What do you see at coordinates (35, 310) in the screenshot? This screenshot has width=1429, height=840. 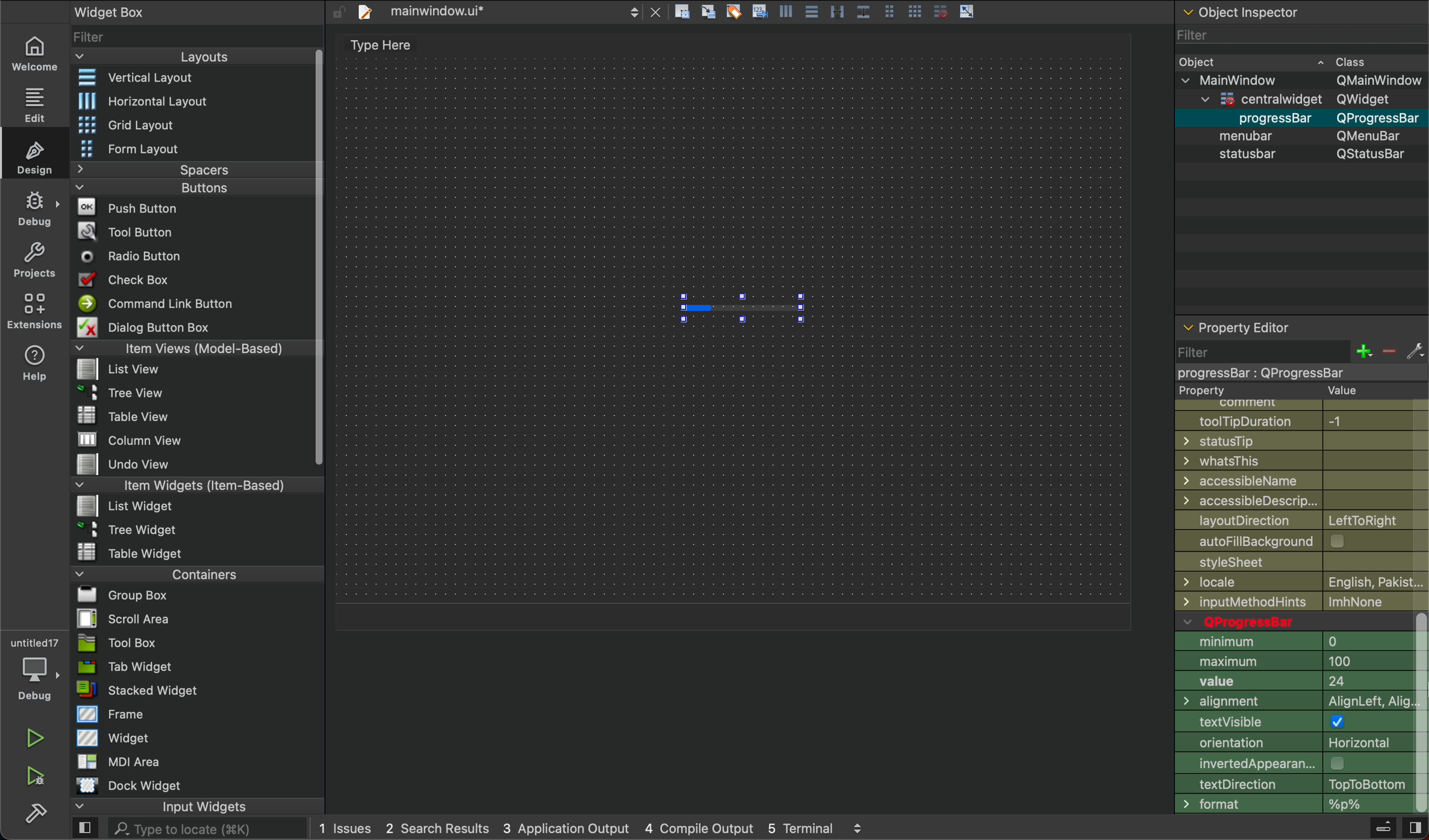 I see `extension` at bounding box center [35, 310].